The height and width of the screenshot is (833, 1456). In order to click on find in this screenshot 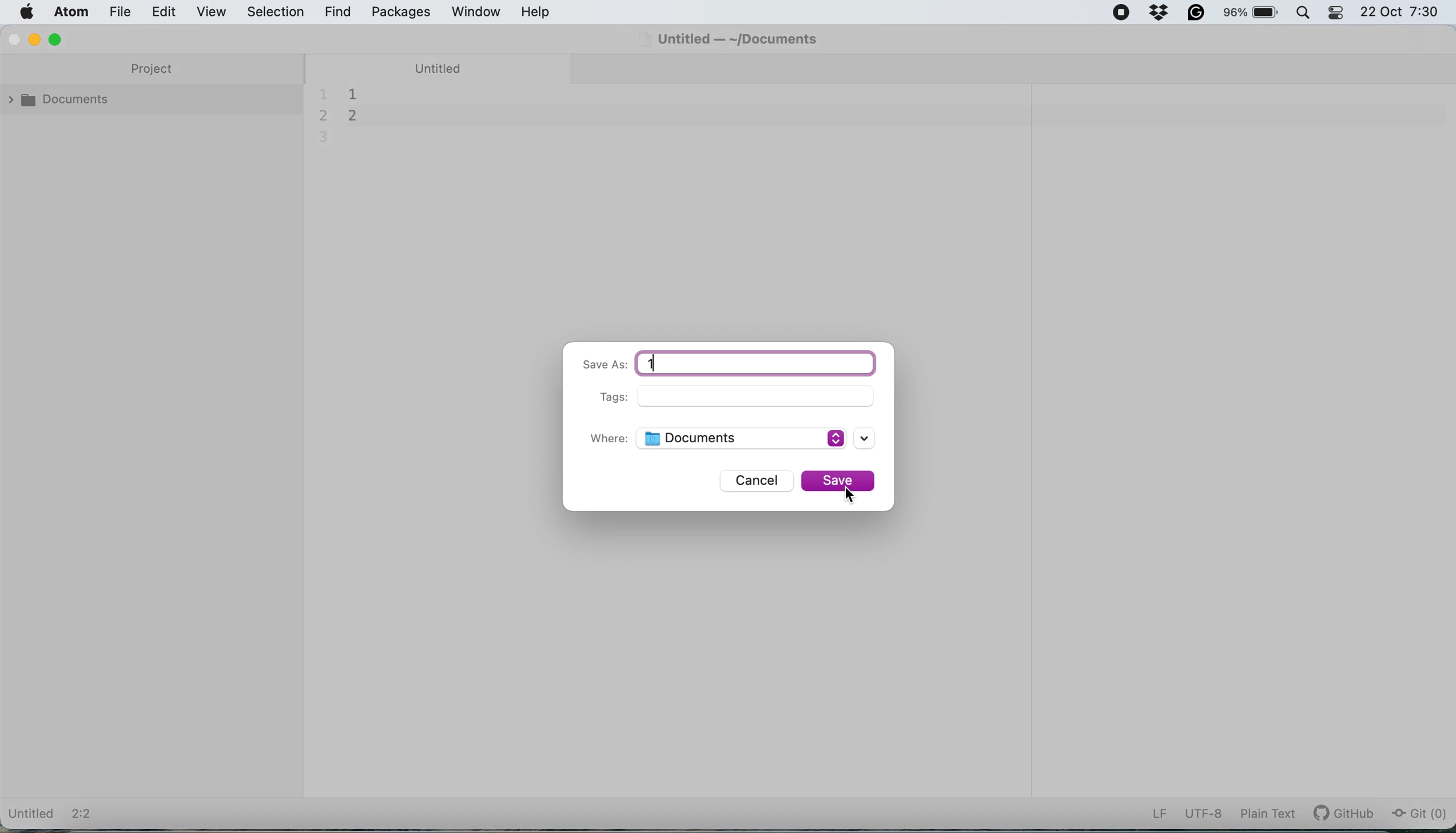, I will do `click(339, 13)`.